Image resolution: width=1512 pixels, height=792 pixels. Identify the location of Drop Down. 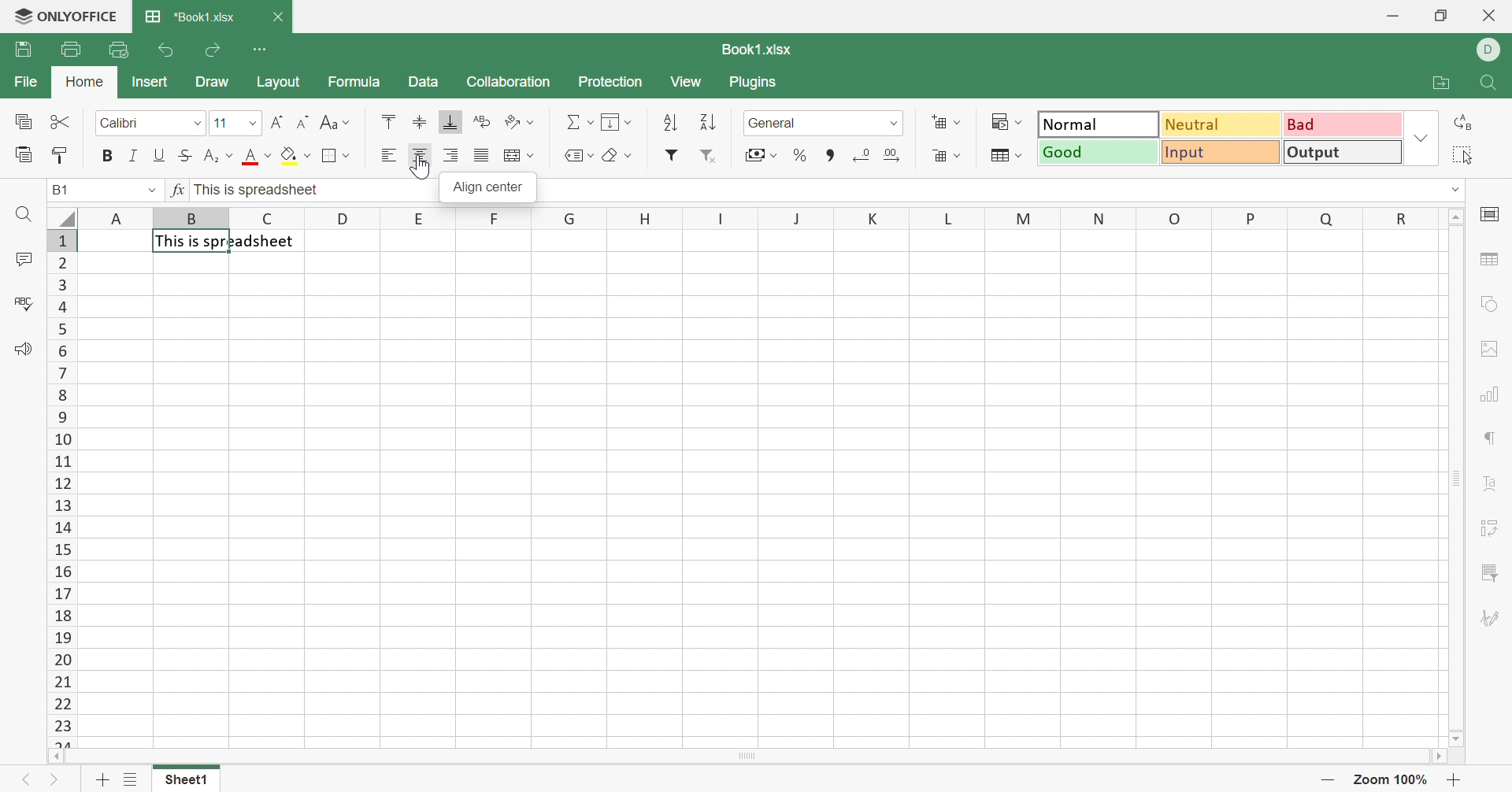
(254, 121).